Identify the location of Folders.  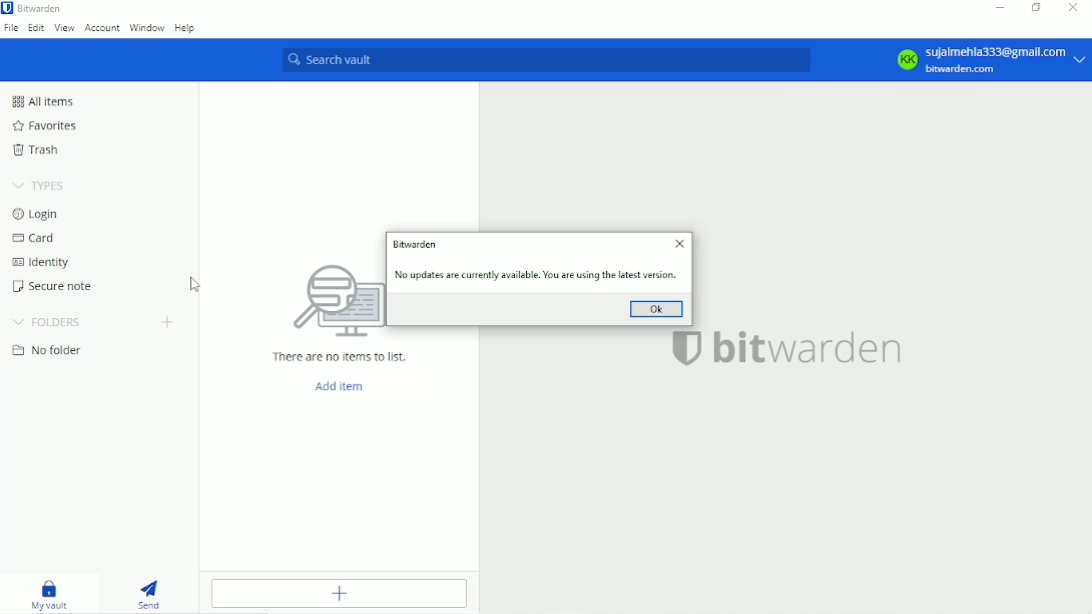
(48, 319).